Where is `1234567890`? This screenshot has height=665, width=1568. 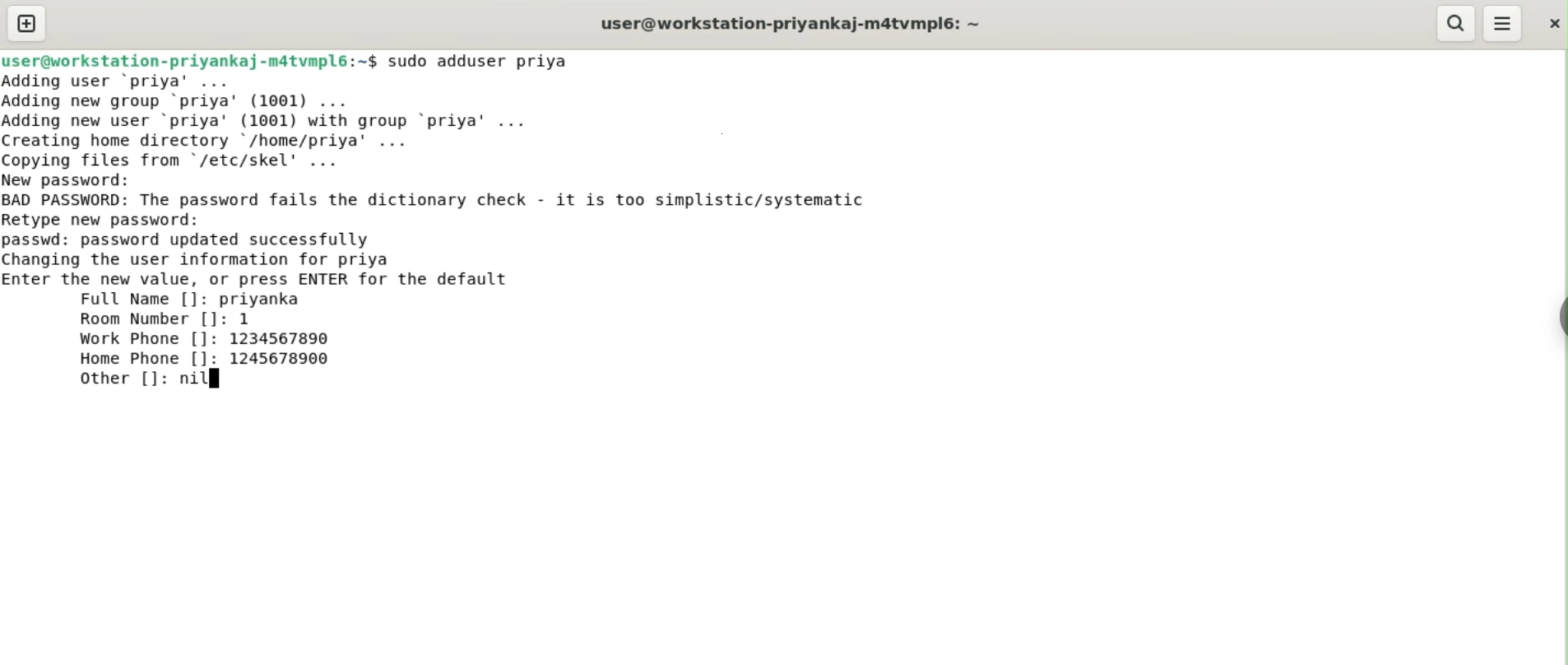 1234567890 is located at coordinates (290, 340).